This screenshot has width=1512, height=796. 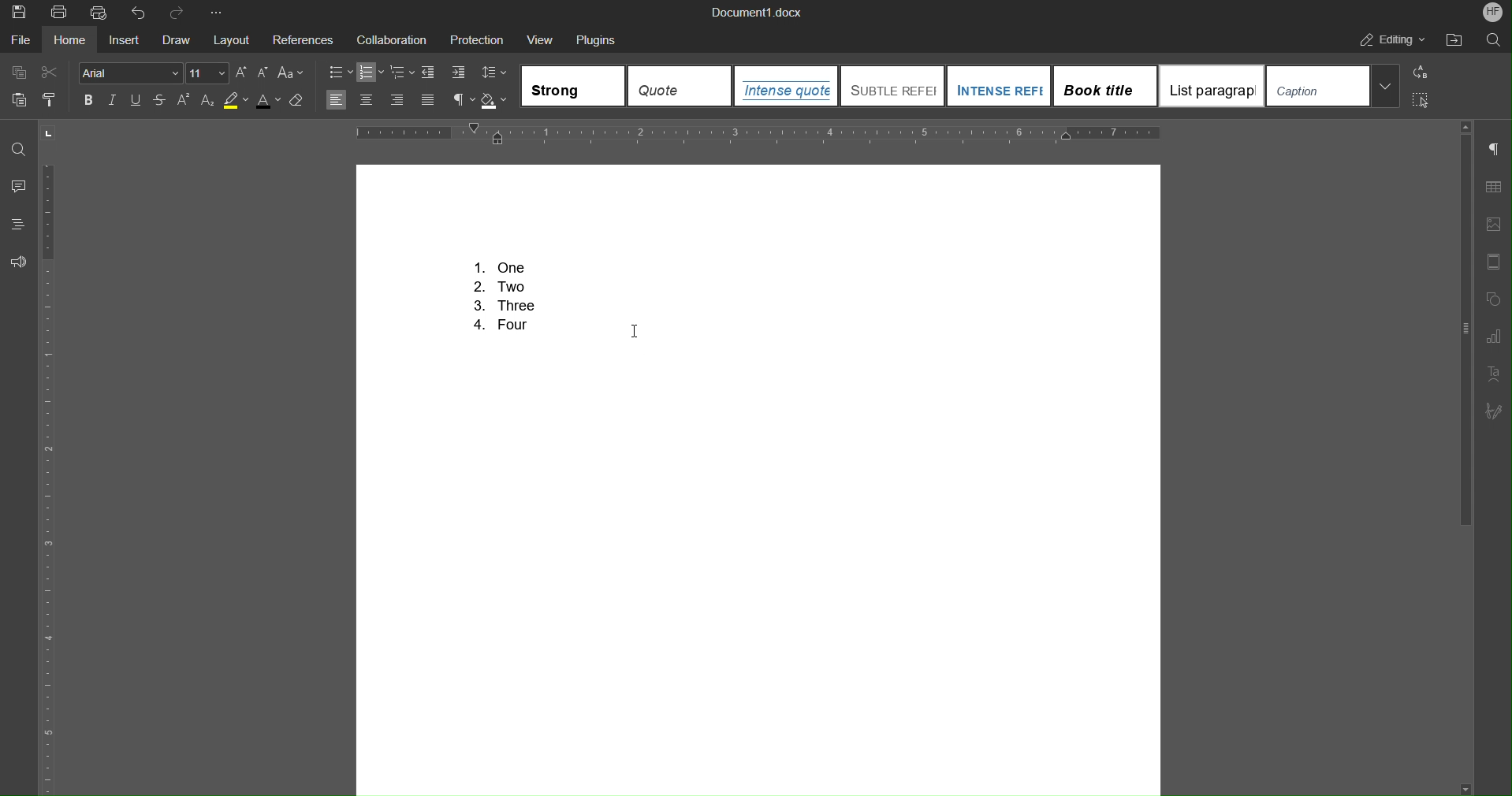 I want to click on Insert, so click(x=128, y=38).